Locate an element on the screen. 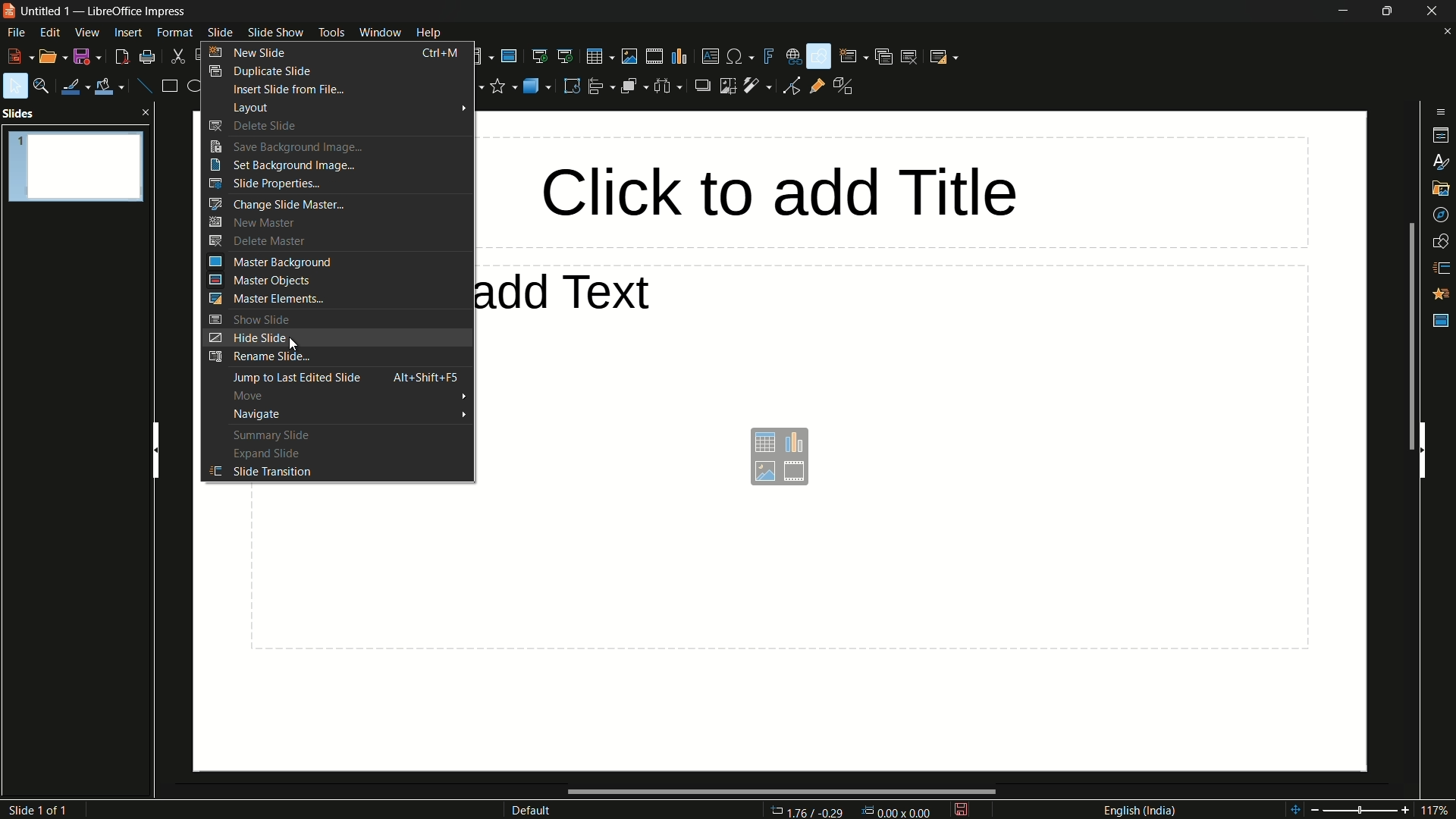 This screenshot has height=819, width=1456. 3d objects is located at coordinates (538, 86).